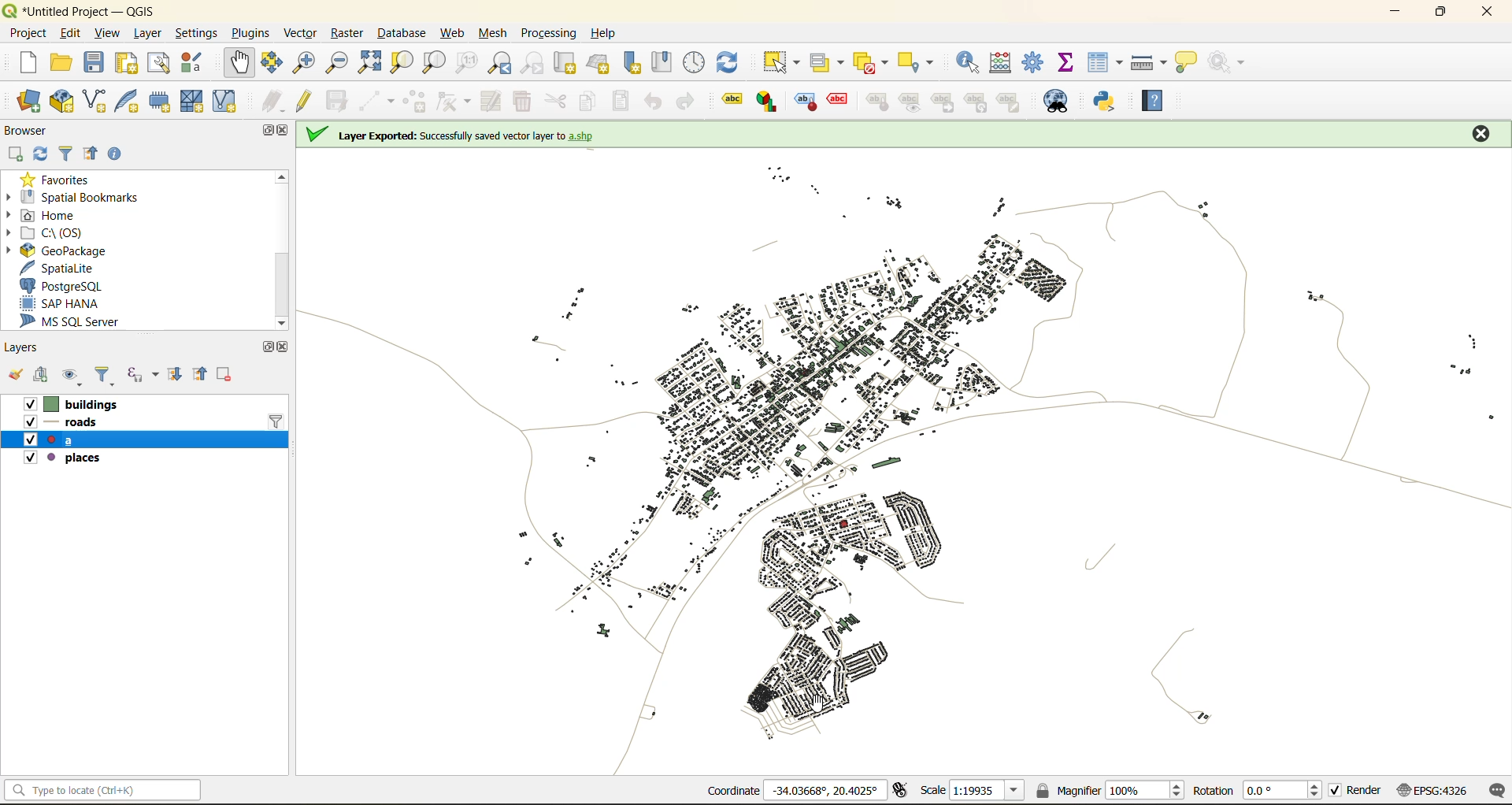  Describe the element at coordinates (57, 267) in the screenshot. I see `spatialite` at that location.